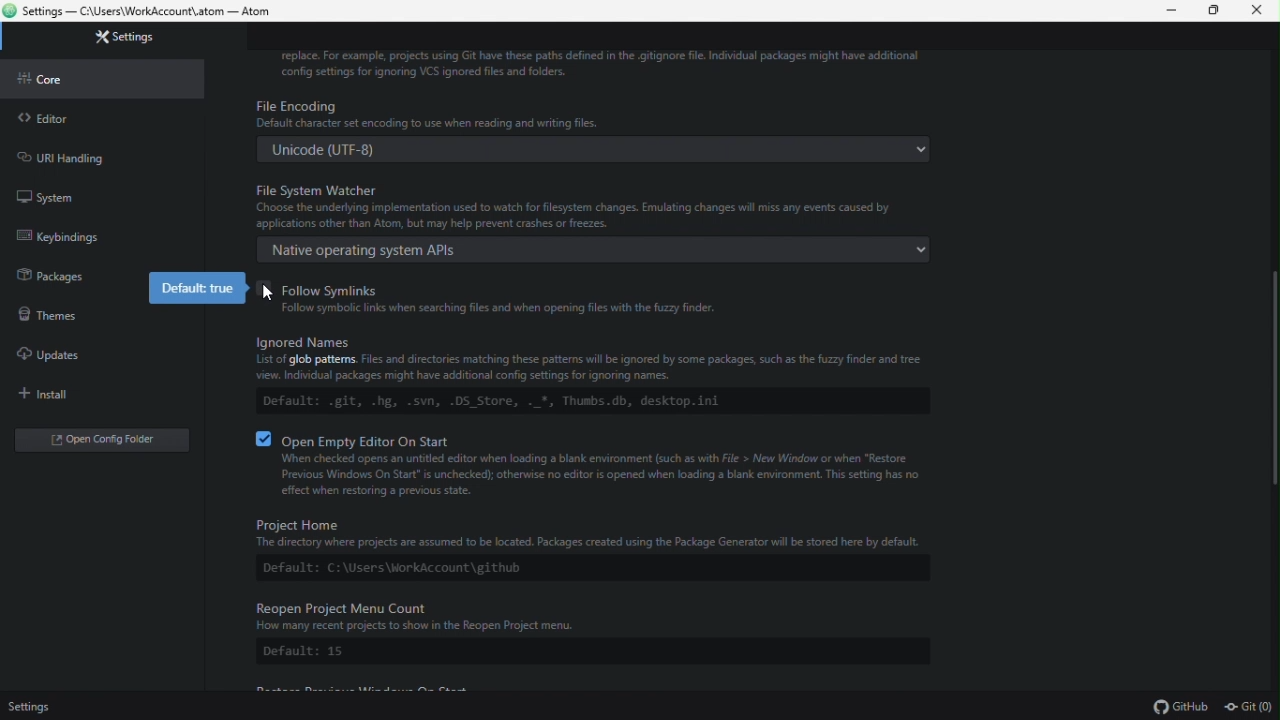 The height and width of the screenshot is (720, 1280). Describe the element at coordinates (1249, 708) in the screenshot. I see `Git (0)` at that location.